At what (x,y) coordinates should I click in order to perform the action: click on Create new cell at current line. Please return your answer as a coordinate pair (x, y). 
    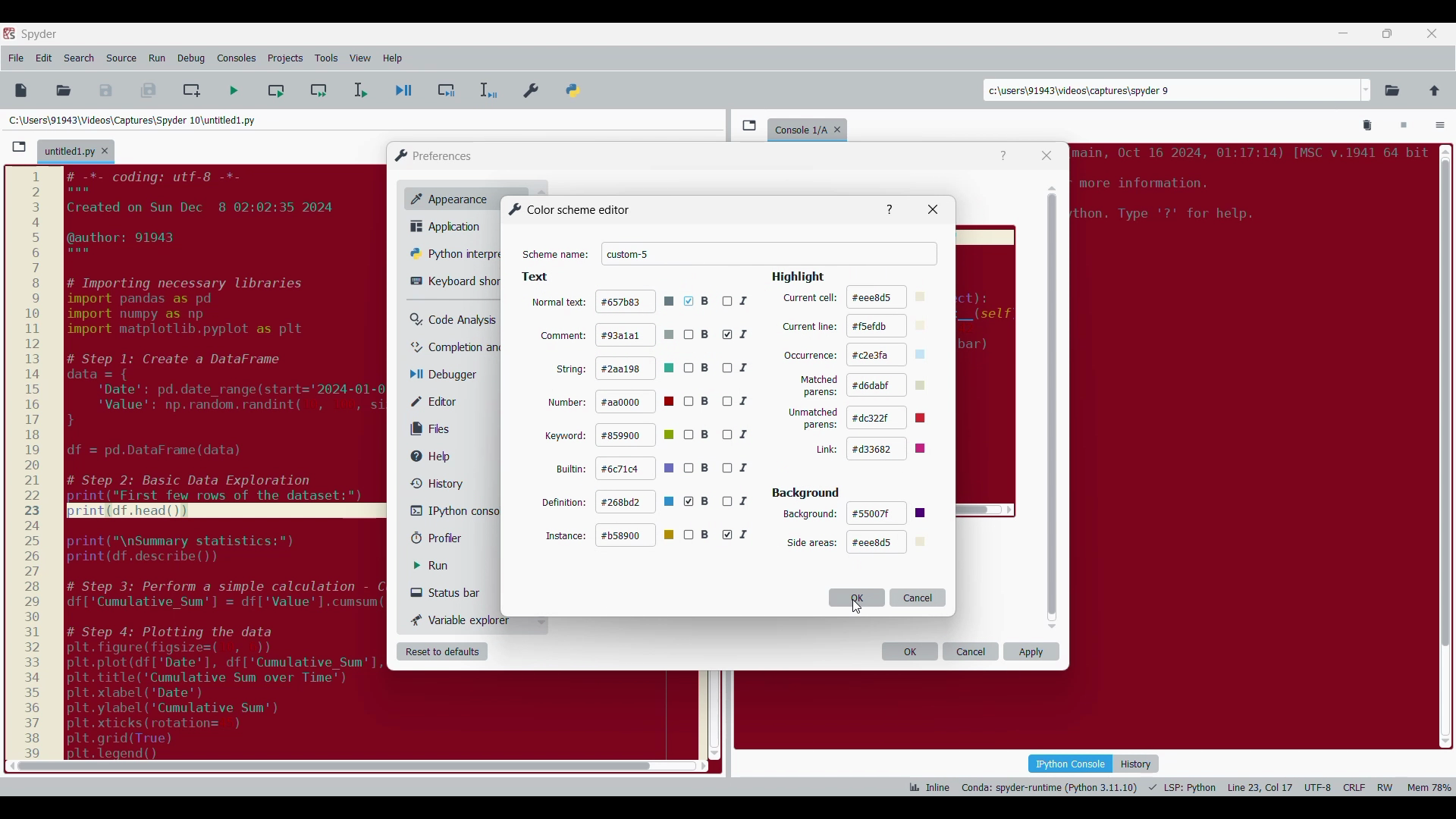
    Looking at the image, I should click on (192, 90).